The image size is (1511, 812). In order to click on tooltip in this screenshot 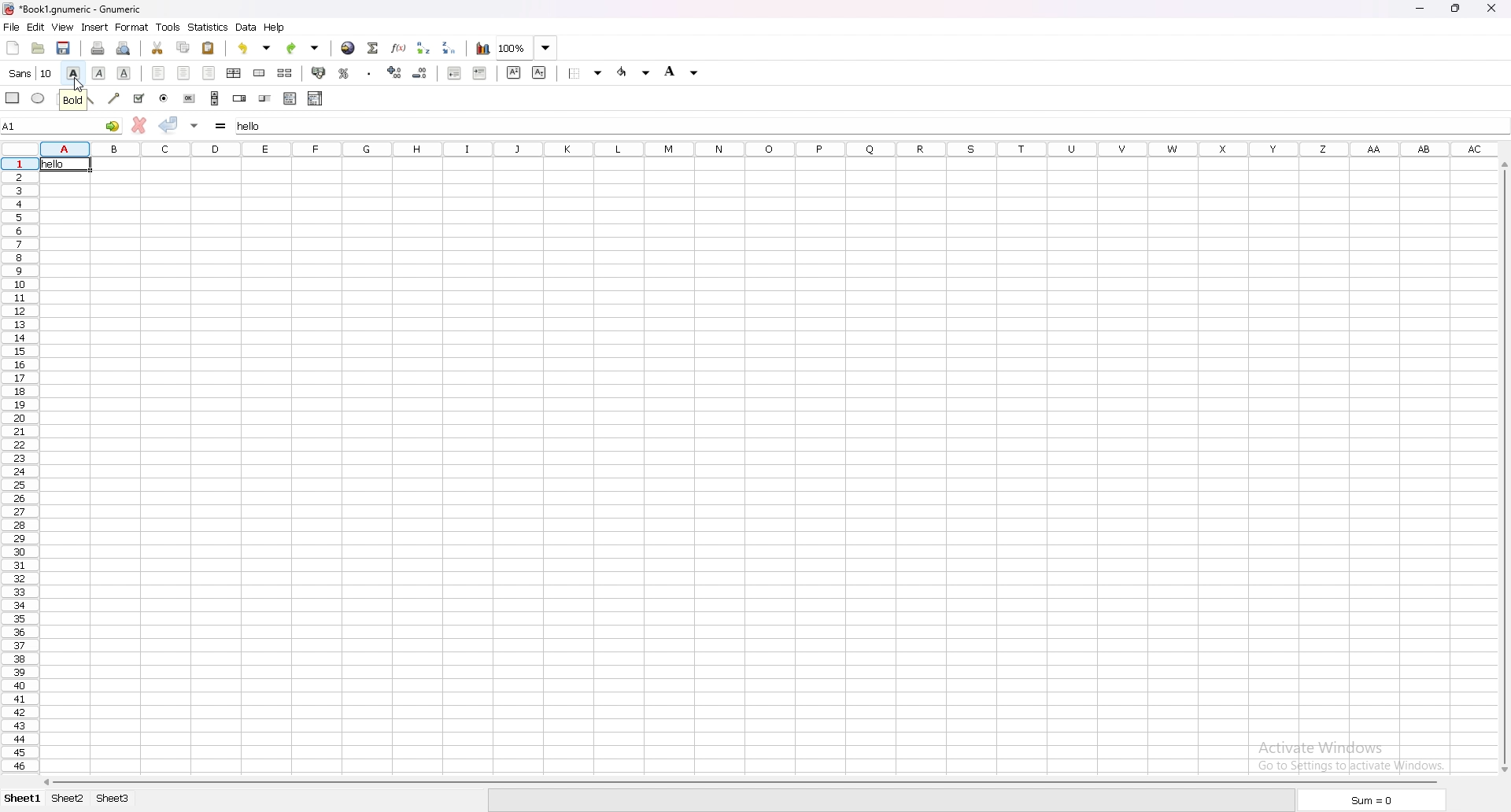, I will do `click(73, 99)`.